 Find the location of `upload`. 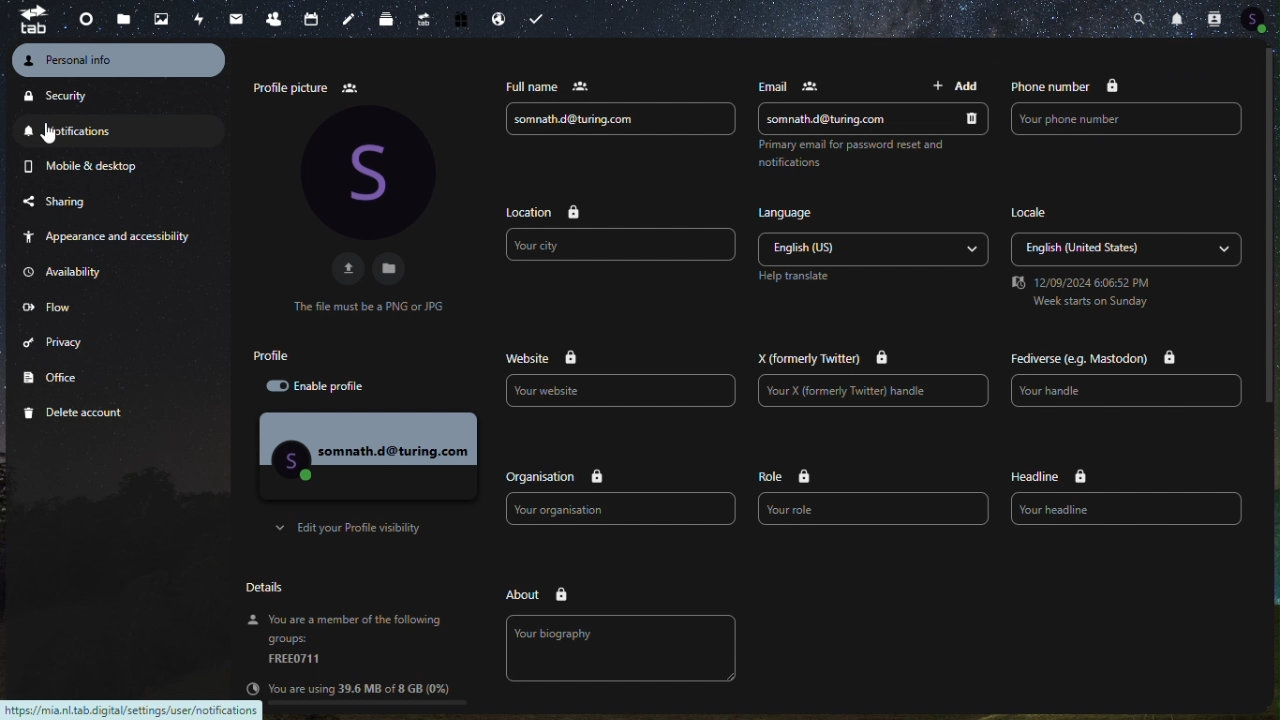

upload is located at coordinates (344, 268).